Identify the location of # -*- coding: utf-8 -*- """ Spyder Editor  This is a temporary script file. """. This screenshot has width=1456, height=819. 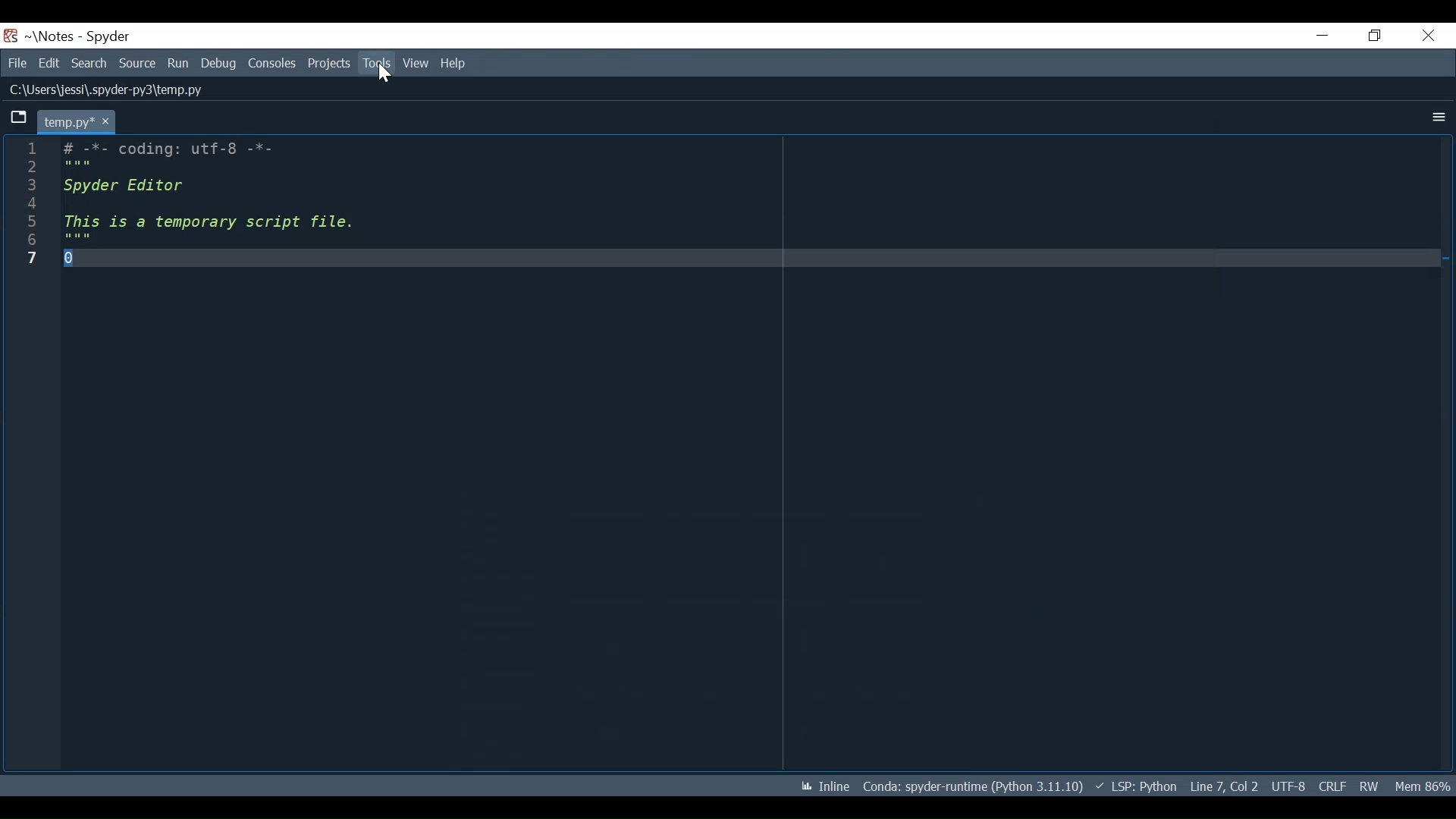
(755, 450).